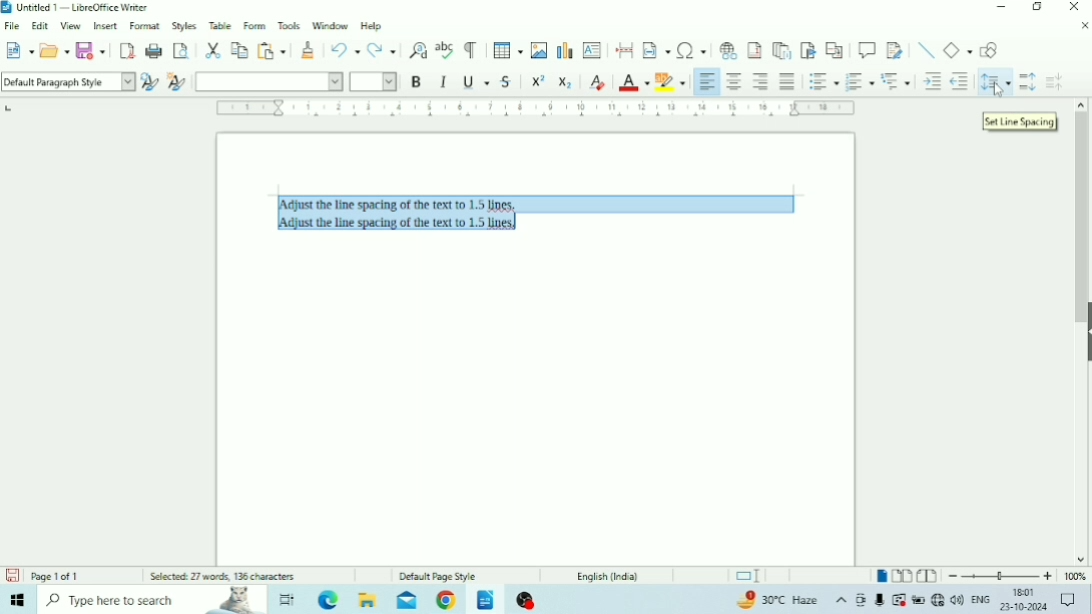  Describe the element at coordinates (834, 49) in the screenshot. I see `Insert Cross-reference` at that location.